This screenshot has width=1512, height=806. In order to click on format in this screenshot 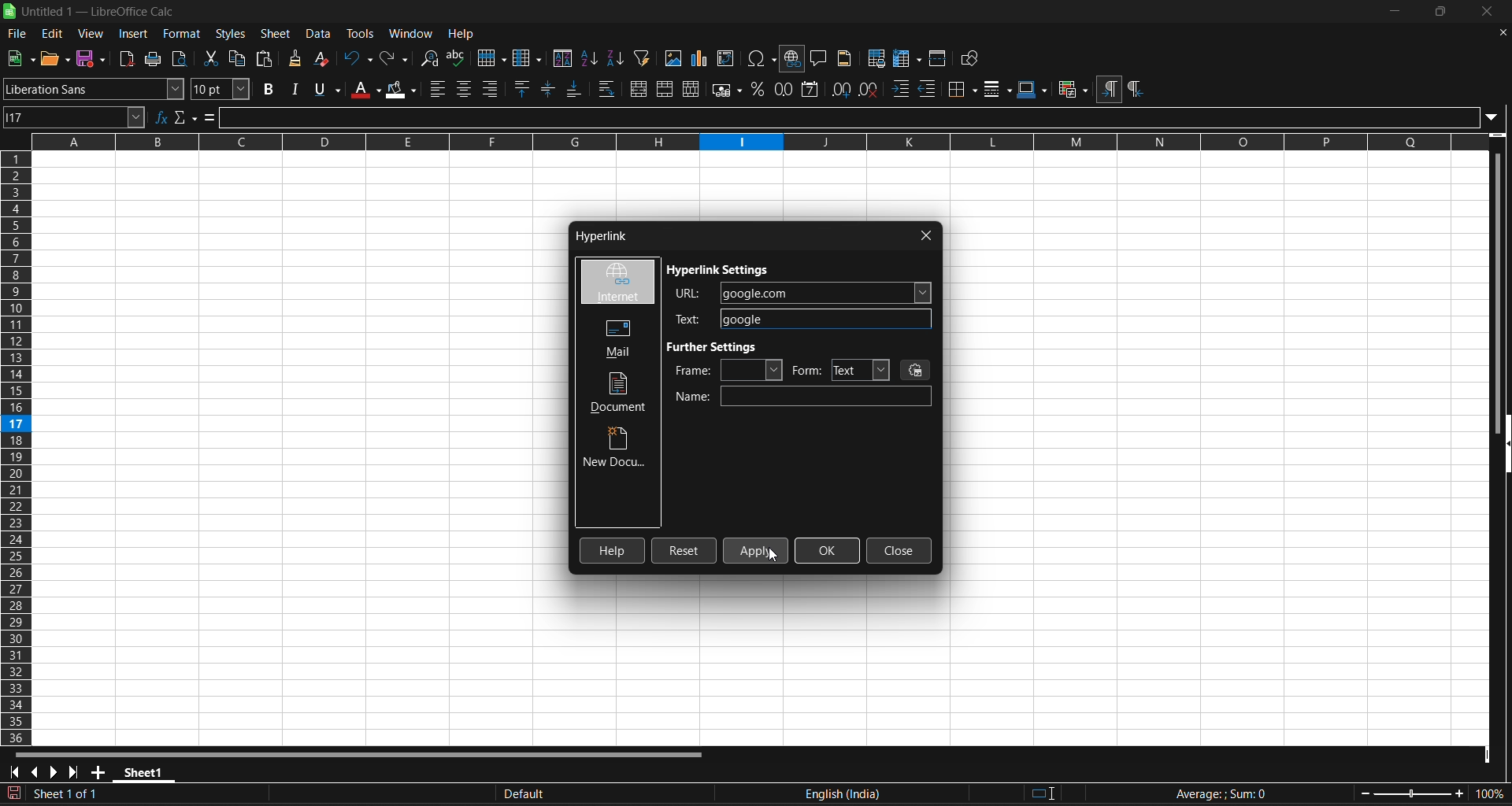, I will do `click(180, 34)`.